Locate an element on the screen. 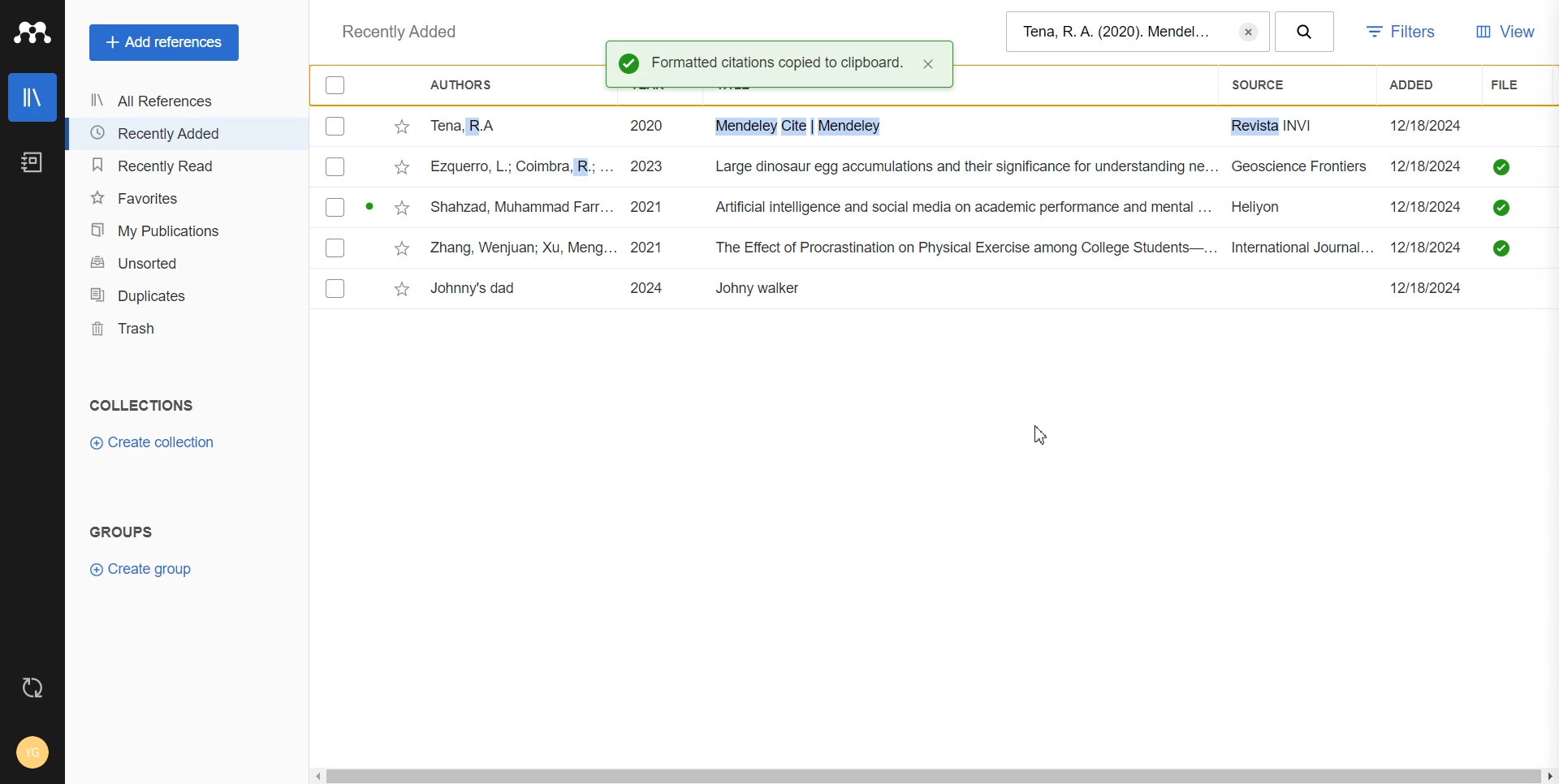 Image resolution: width=1559 pixels, height=784 pixels. Library is located at coordinates (33, 97).